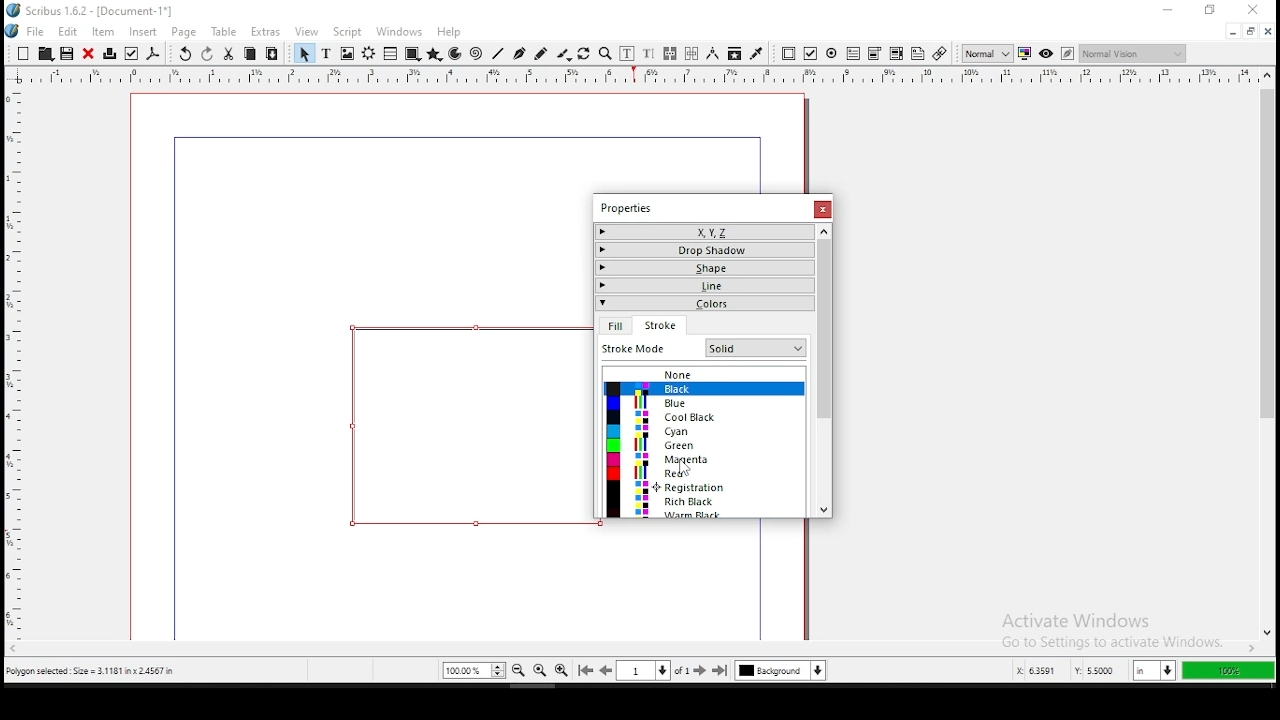  What do you see at coordinates (1268, 32) in the screenshot?
I see `close` at bounding box center [1268, 32].